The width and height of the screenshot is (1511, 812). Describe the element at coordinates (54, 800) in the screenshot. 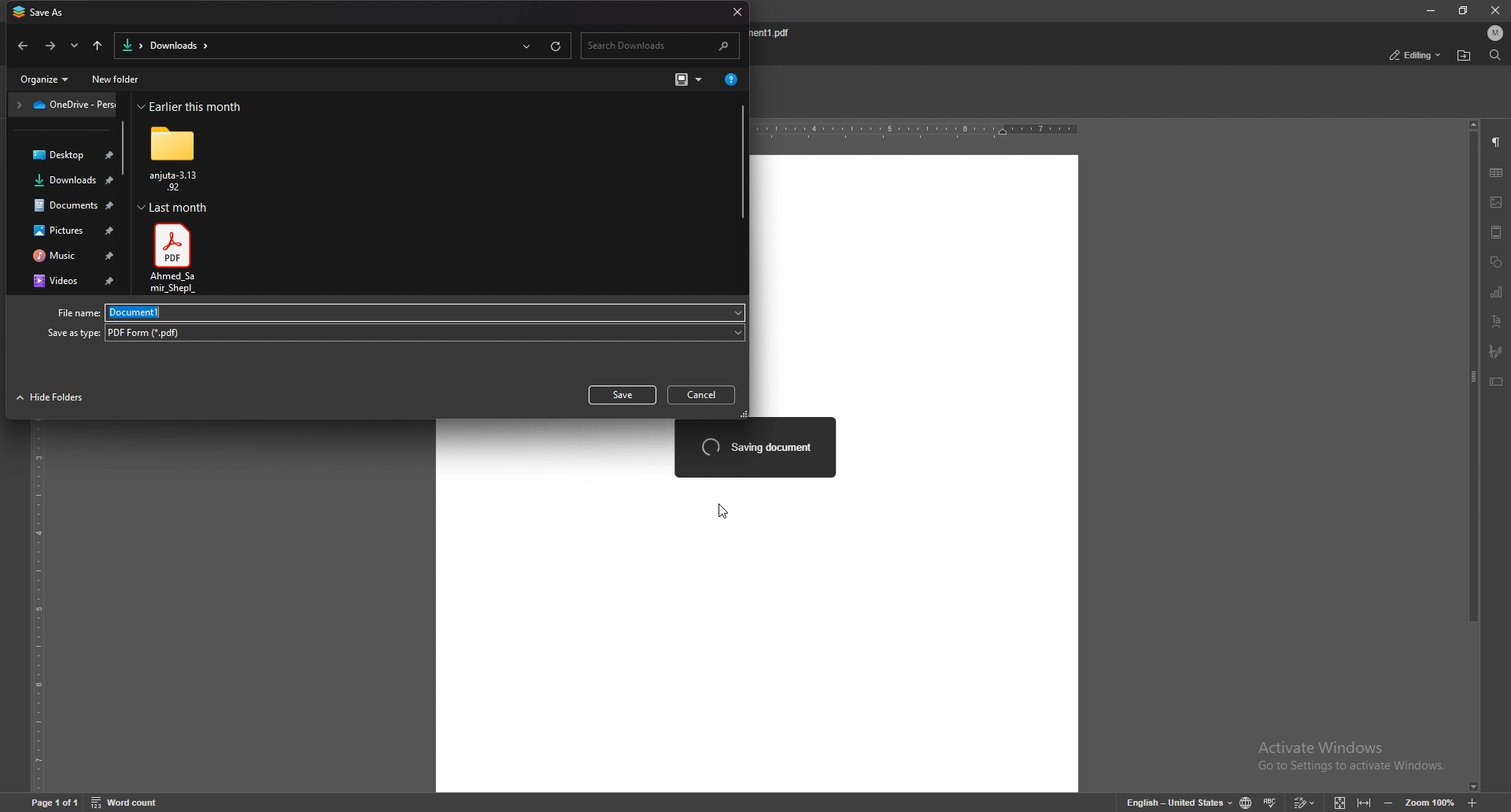

I see `page` at that location.